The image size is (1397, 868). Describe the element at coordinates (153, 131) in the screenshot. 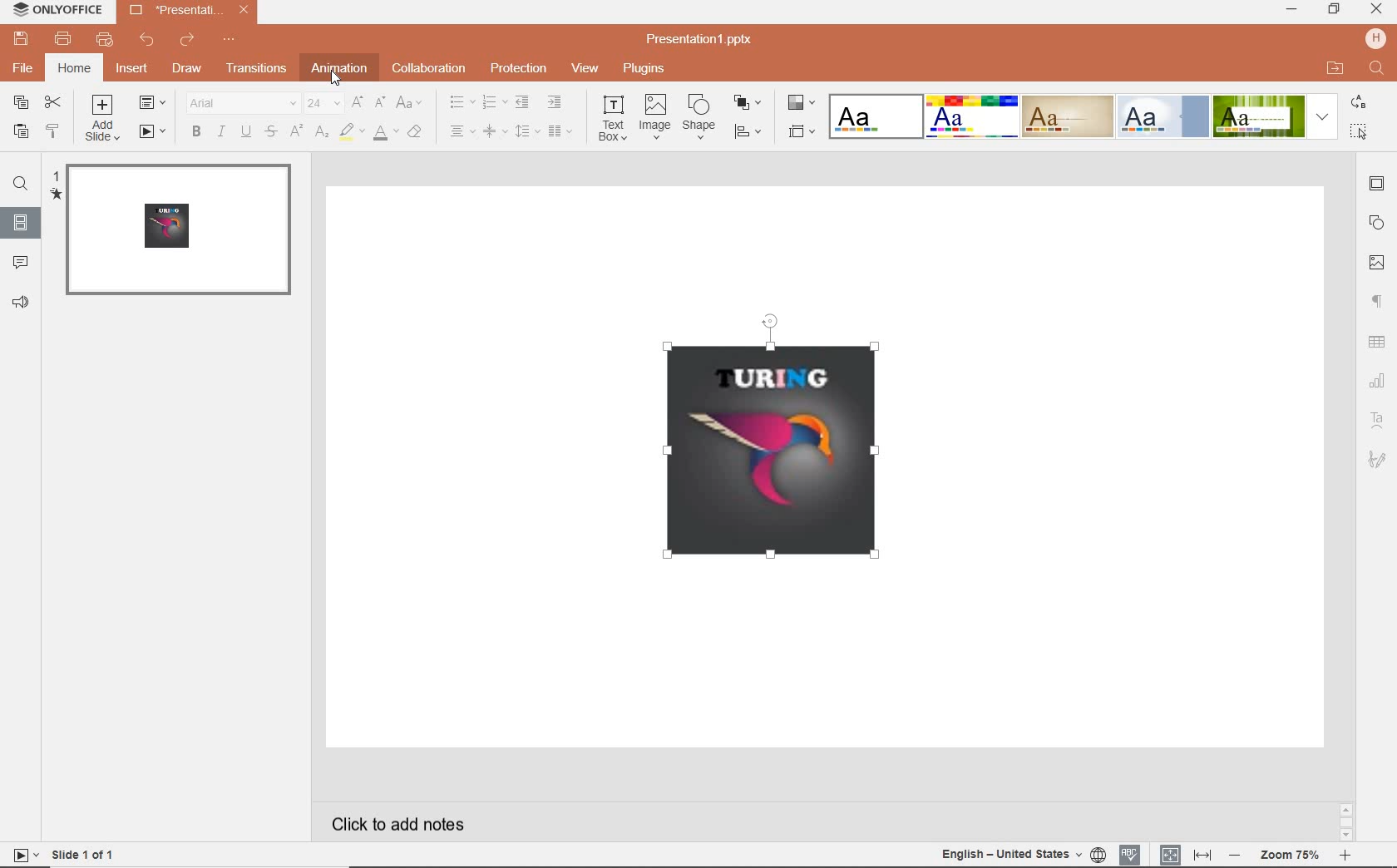

I see `start slideshow` at that location.